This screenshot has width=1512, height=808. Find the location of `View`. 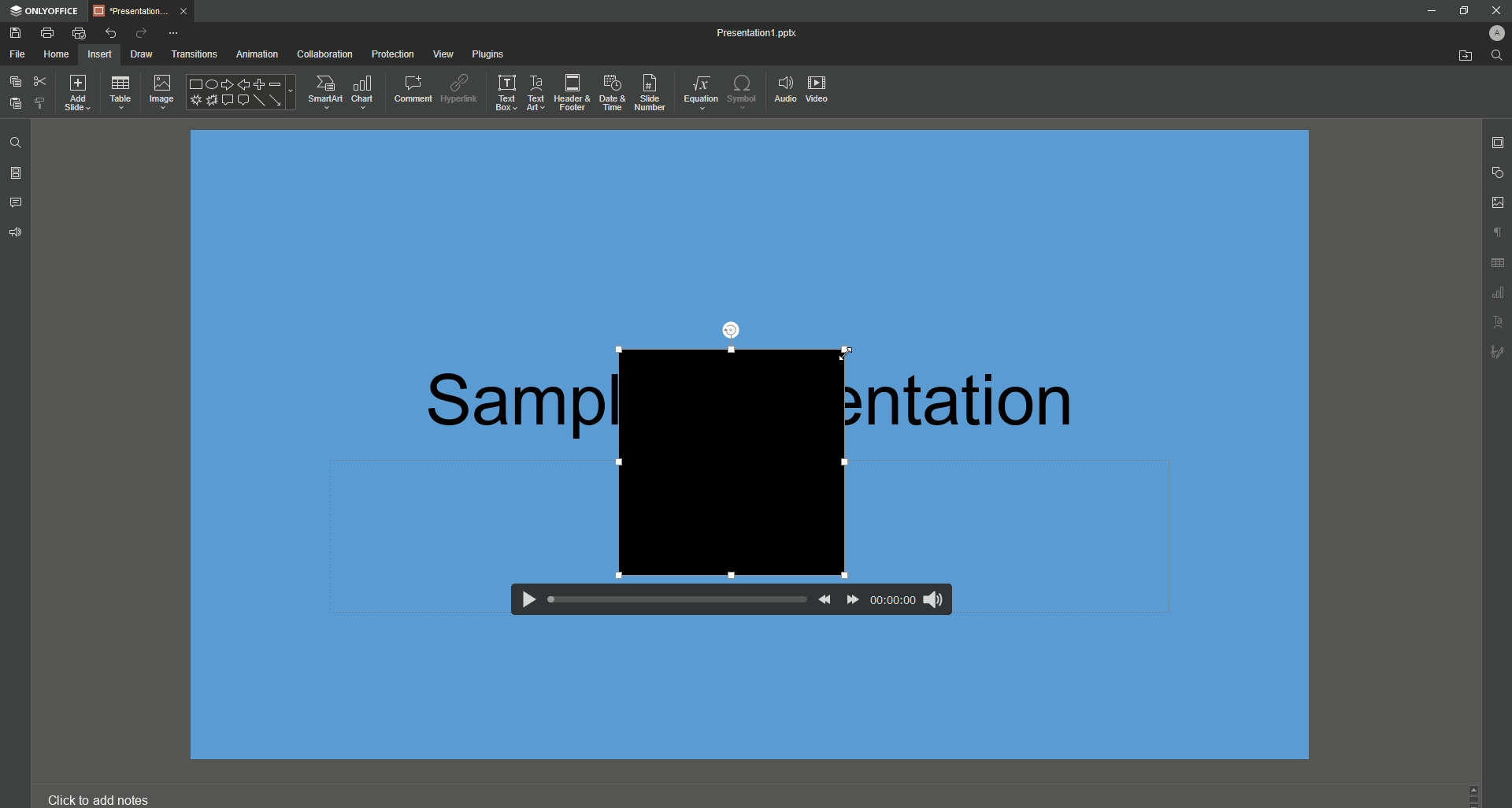

View is located at coordinates (444, 54).